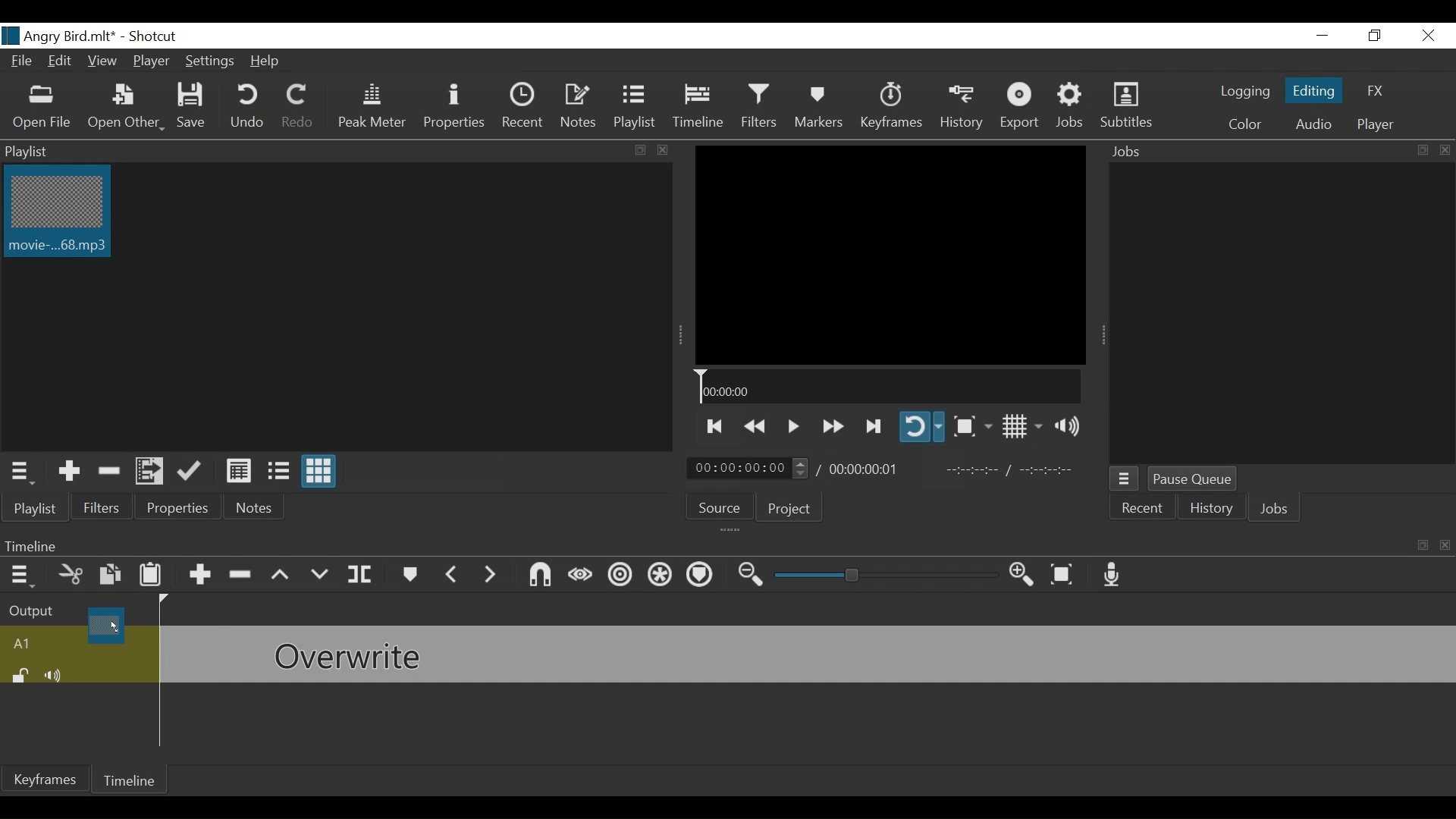  What do you see at coordinates (1320, 36) in the screenshot?
I see `minimize` at bounding box center [1320, 36].